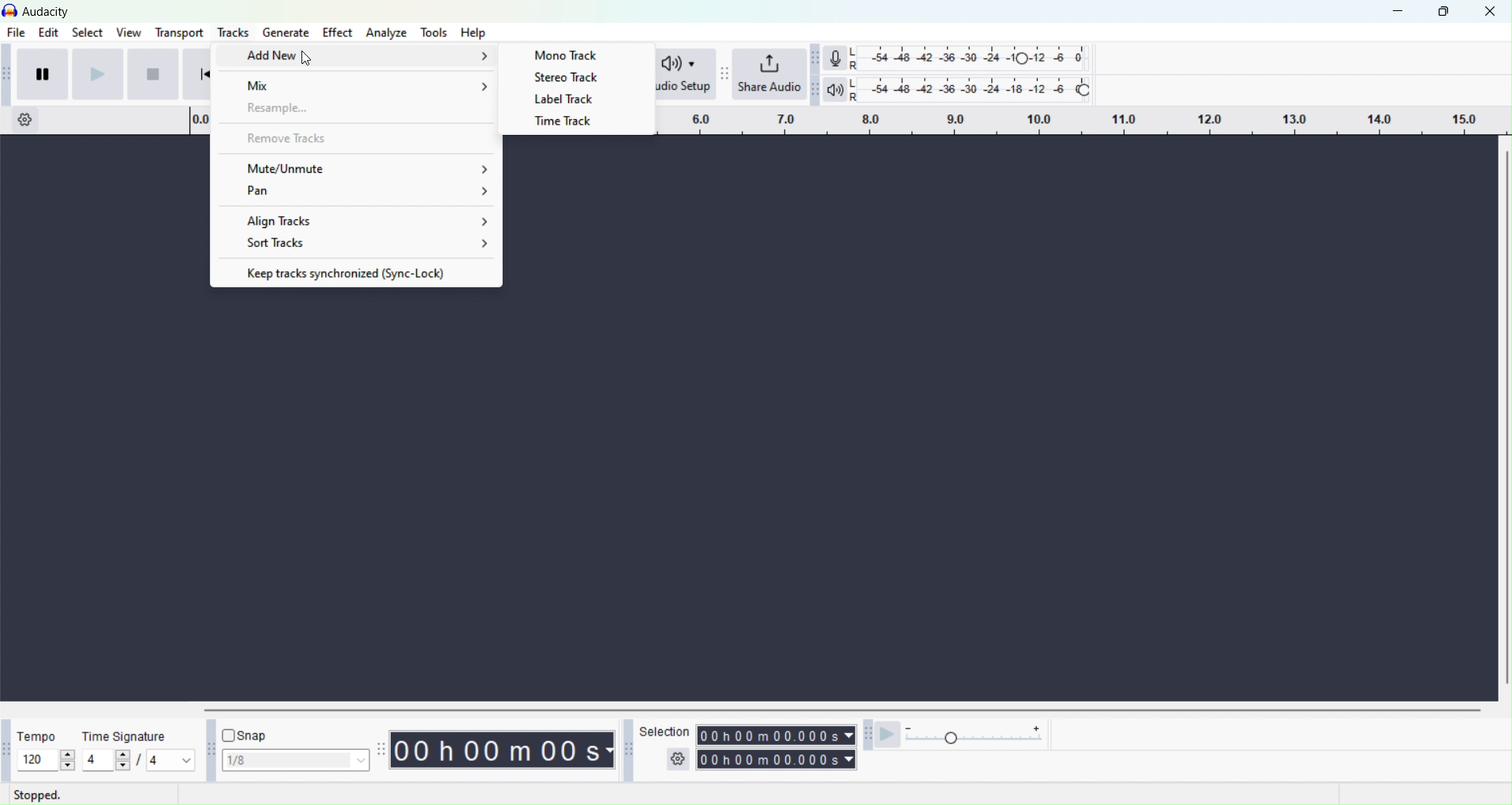 The image size is (1512, 805). What do you see at coordinates (573, 77) in the screenshot?
I see `Stereo track` at bounding box center [573, 77].